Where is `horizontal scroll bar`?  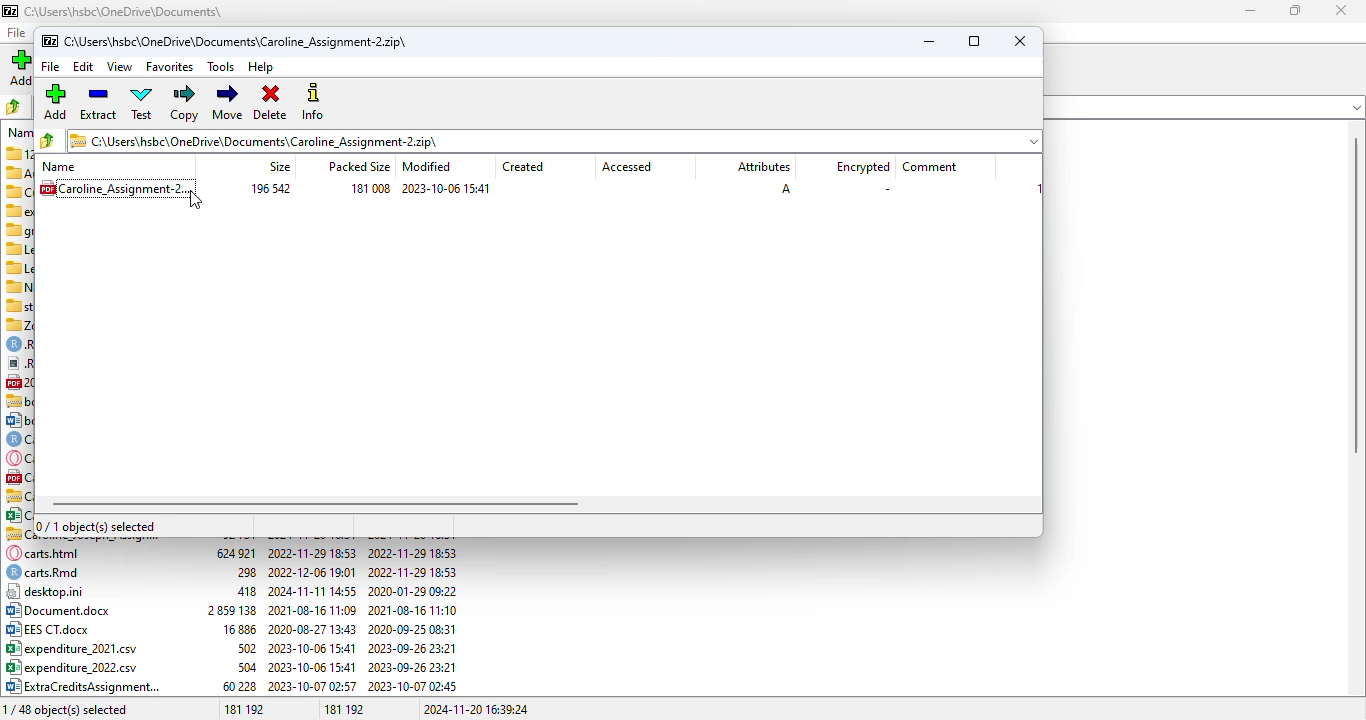 horizontal scroll bar is located at coordinates (317, 505).